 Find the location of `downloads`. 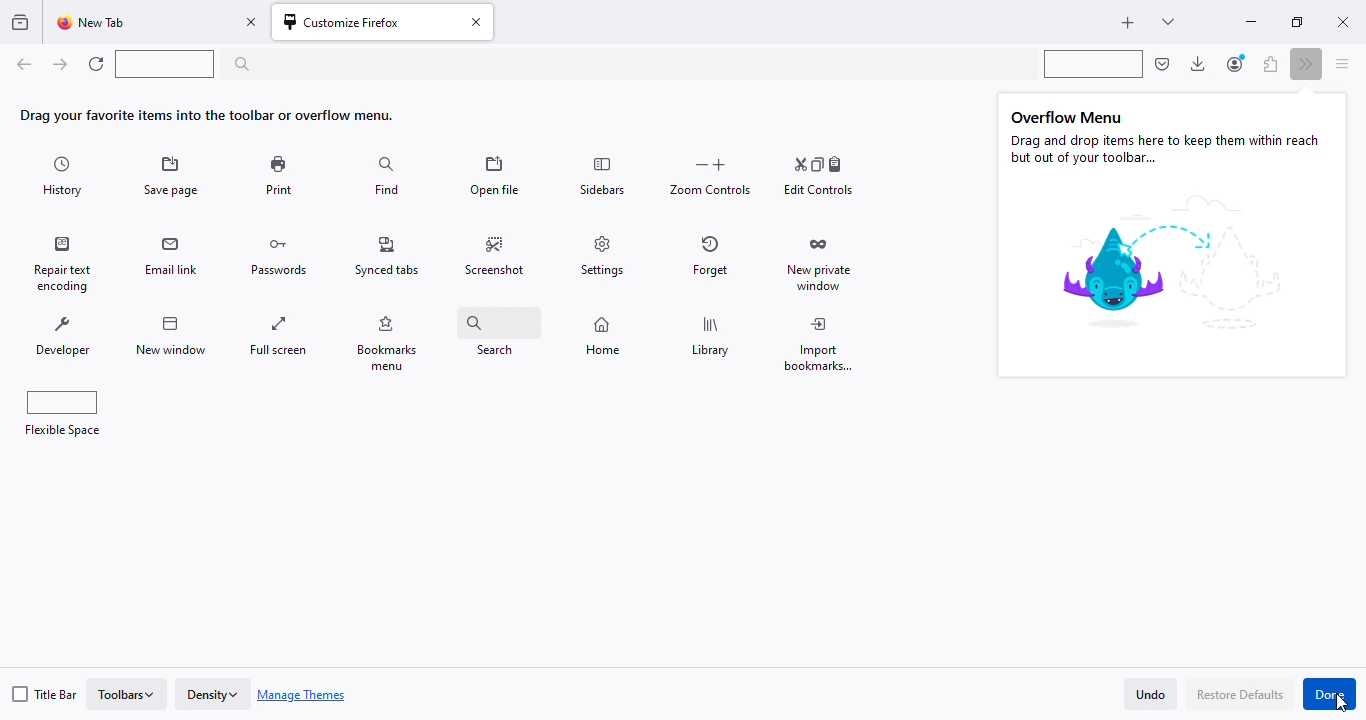

downloads is located at coordinates (1198, 64).